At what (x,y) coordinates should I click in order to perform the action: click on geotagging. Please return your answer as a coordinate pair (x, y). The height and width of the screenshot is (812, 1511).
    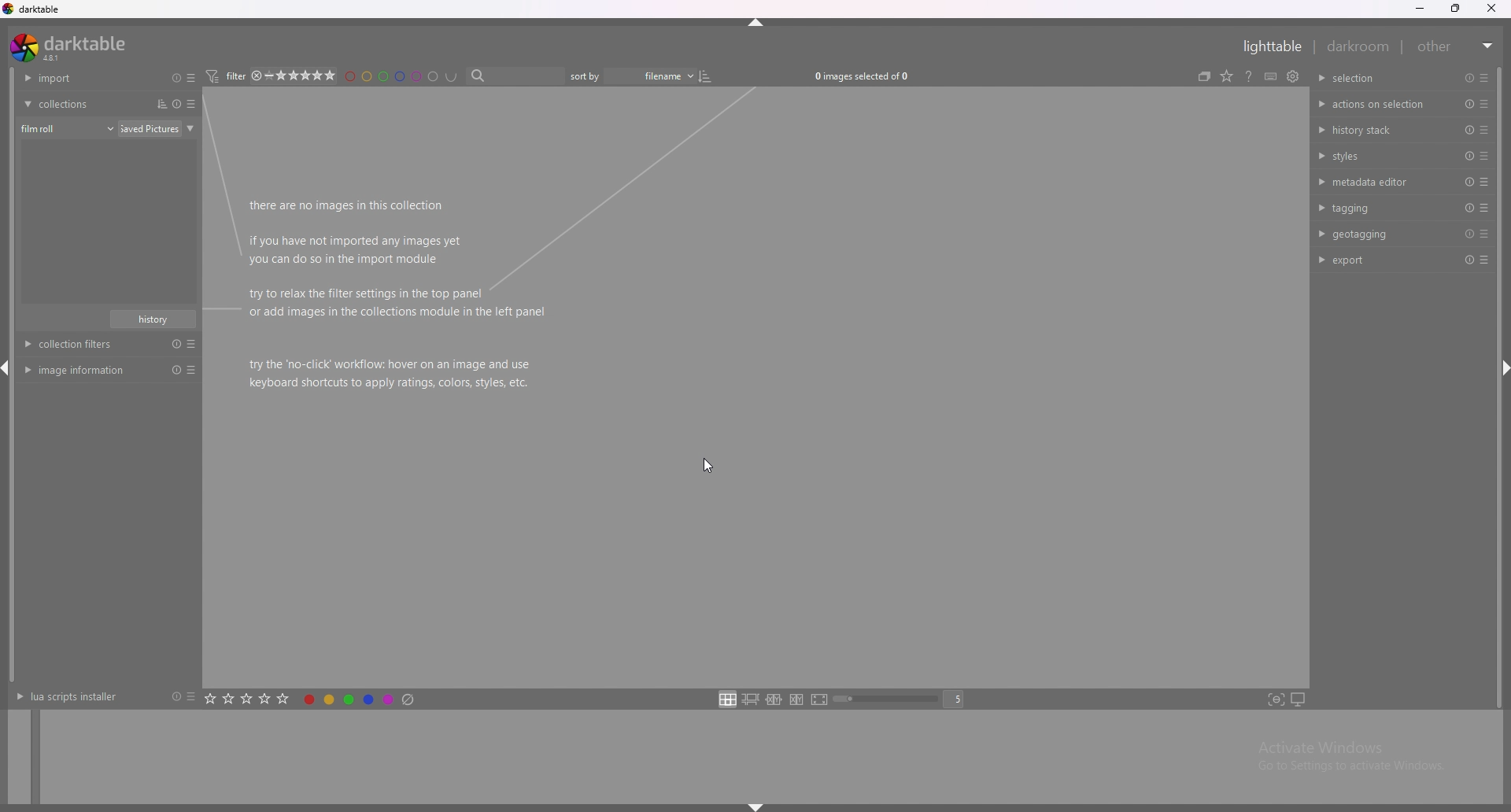
    Looking at the image, I should click on (1376, 234).